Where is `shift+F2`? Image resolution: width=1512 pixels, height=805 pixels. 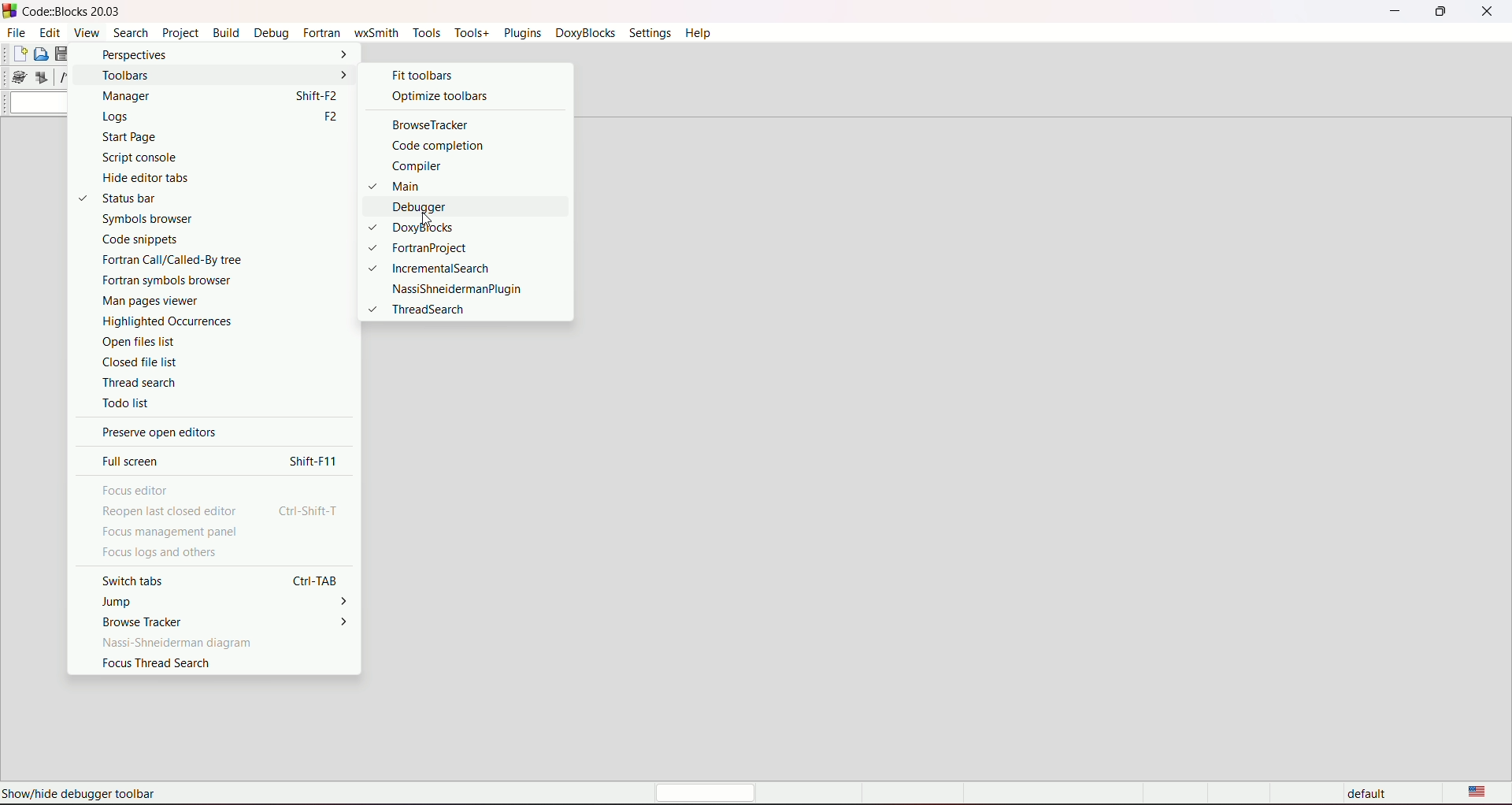 shift+F2 is located at coordinates (318, 95).